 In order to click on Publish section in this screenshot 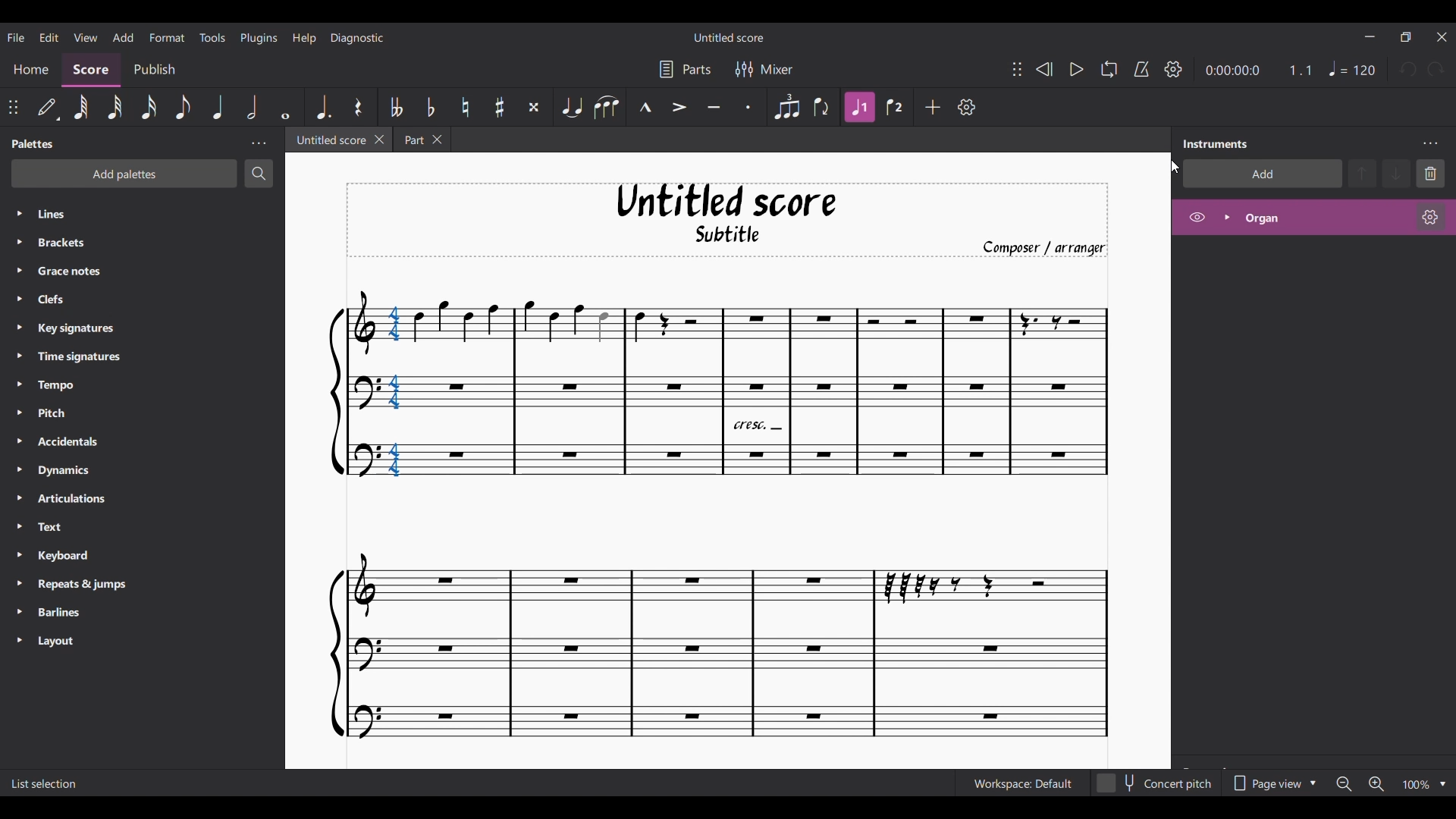, I will do `click(154, 70)`.